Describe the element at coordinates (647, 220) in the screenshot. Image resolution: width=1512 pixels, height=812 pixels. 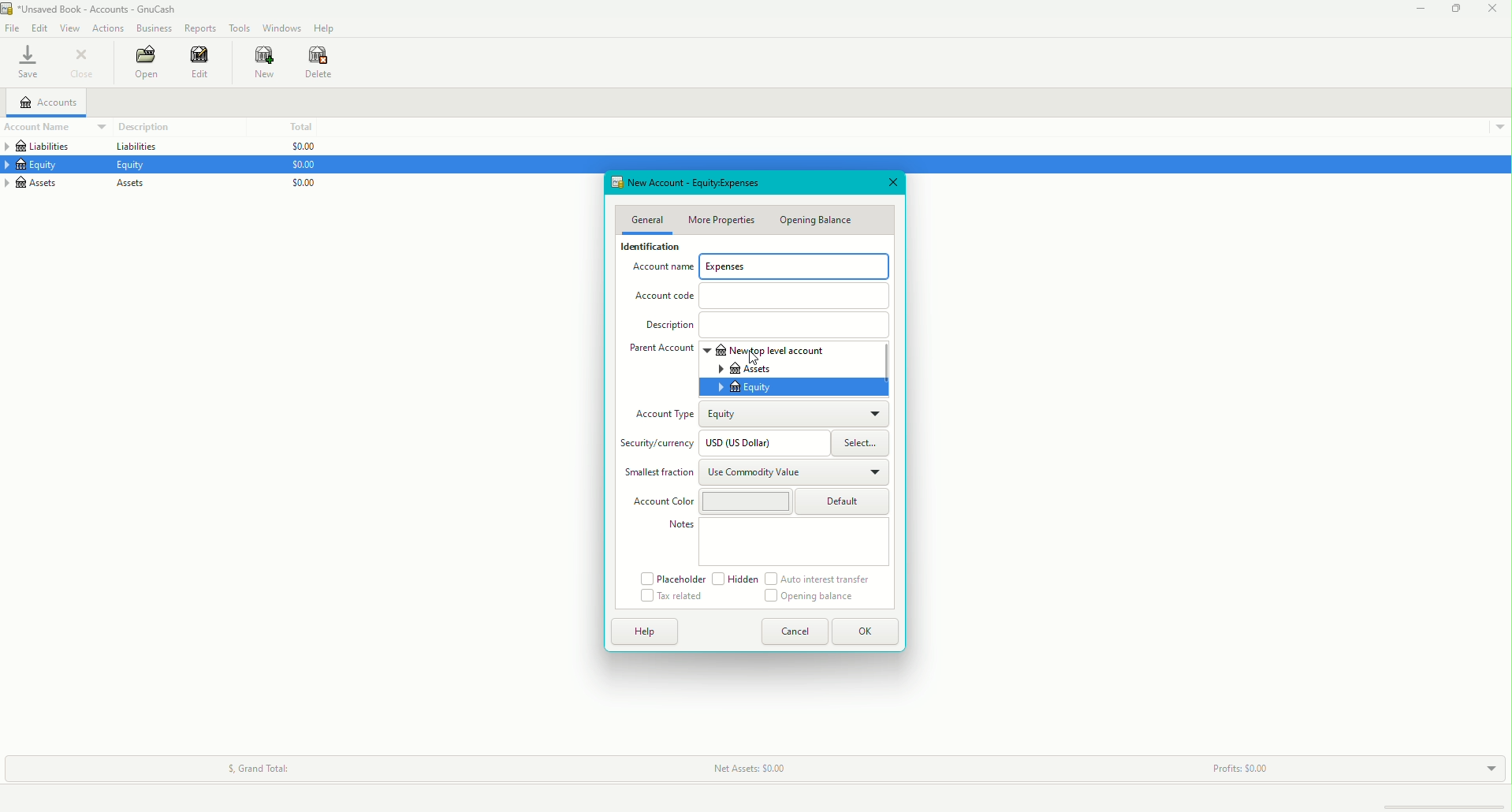
I see `General` at that location.